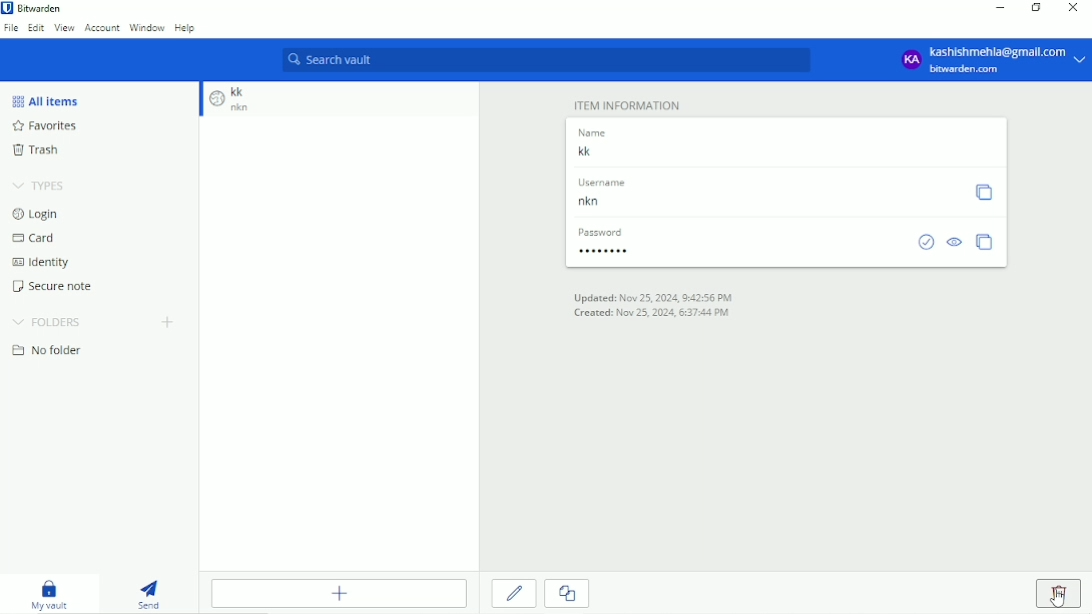 This screenshot has height=614, width=1092. What do you see at coordinates (1057, 593) in the screenshot?
I see `Delete` at bounding box center [1057, 593].